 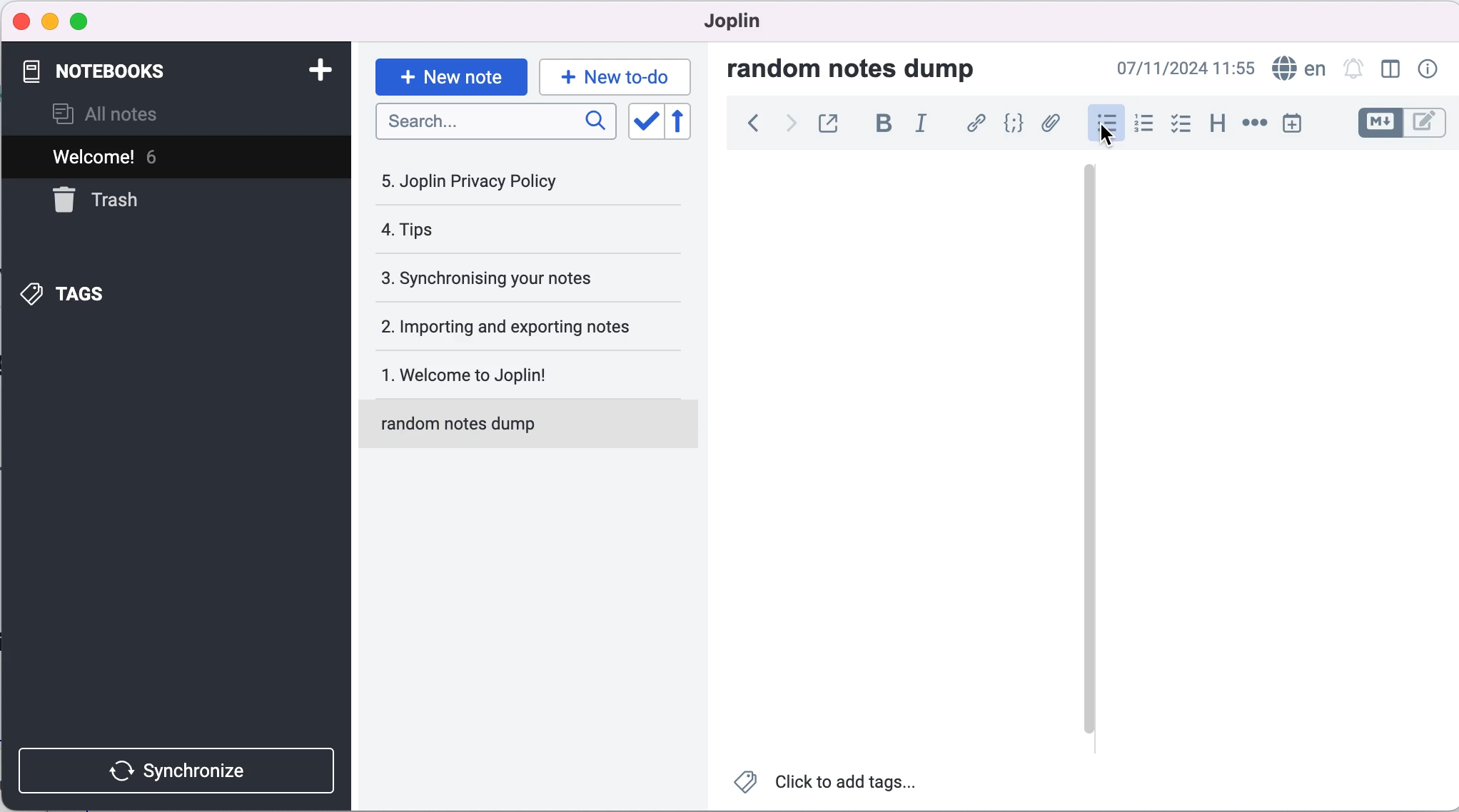 What do you see at coordinates (1101, 123) in the screenshot?
I see `bulleted list` at bounding box center [1101, 123].